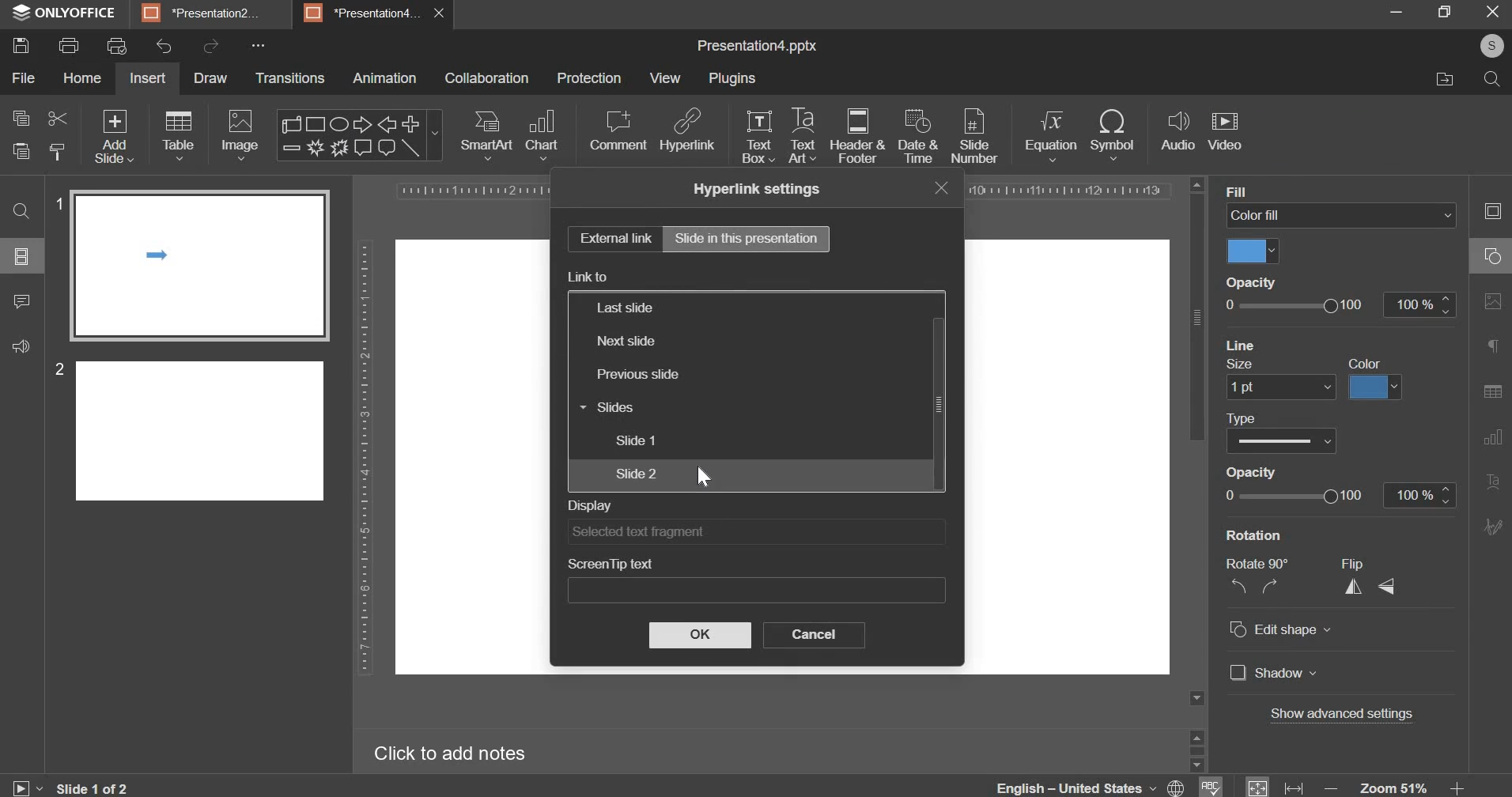 The width and height of the screenshot is (1512, 797). What do you see at coordinates (920, 138) in the screenshot?
I see `date & time` at bounding box center [920, 138].